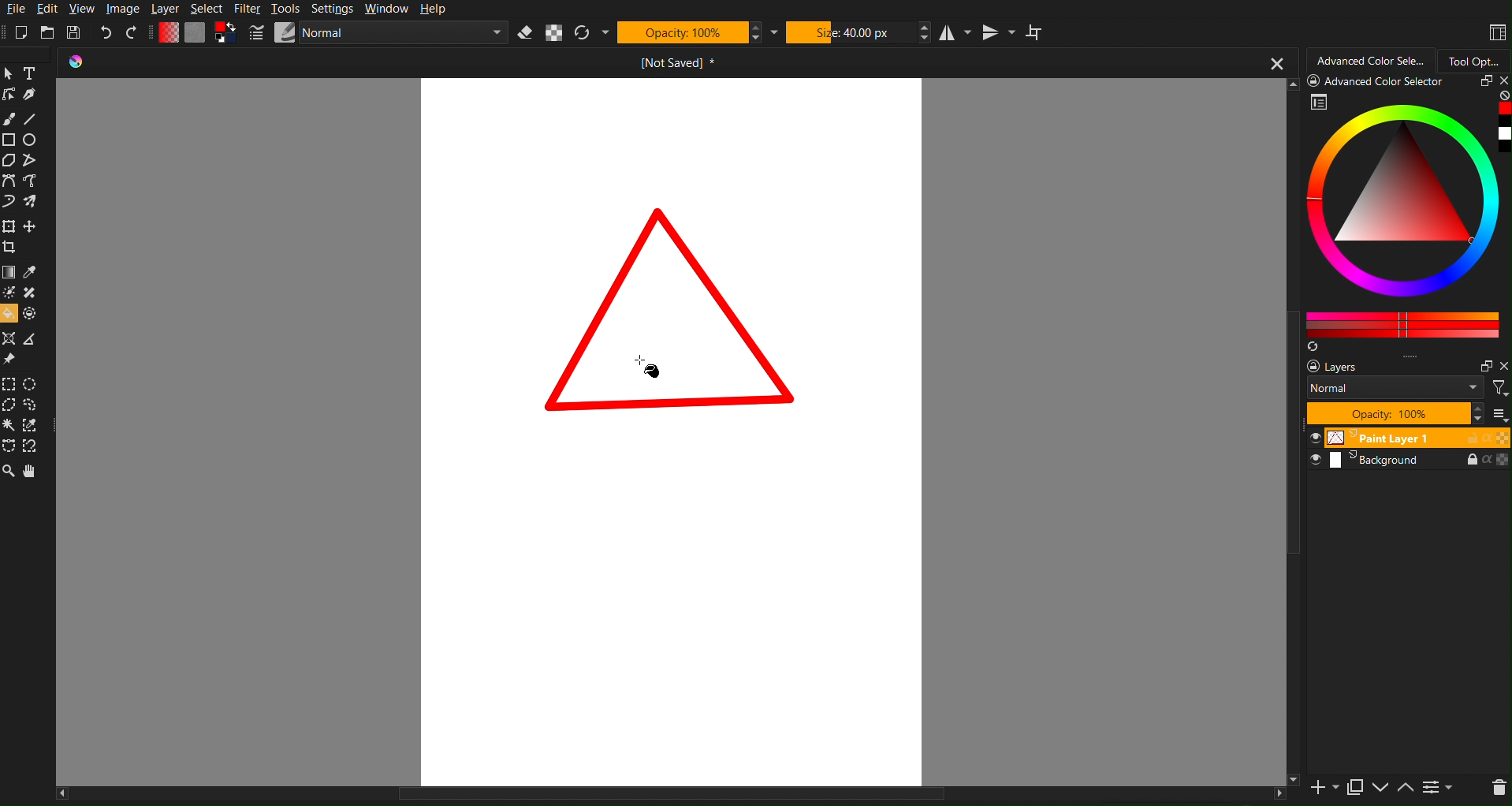 The height and width of the screenshot is (806, 1512). What do you see at coordinates (36, 447) in the screenshot?
I see `magnetic curve Selection Tools` at bounding box center [36, 447].